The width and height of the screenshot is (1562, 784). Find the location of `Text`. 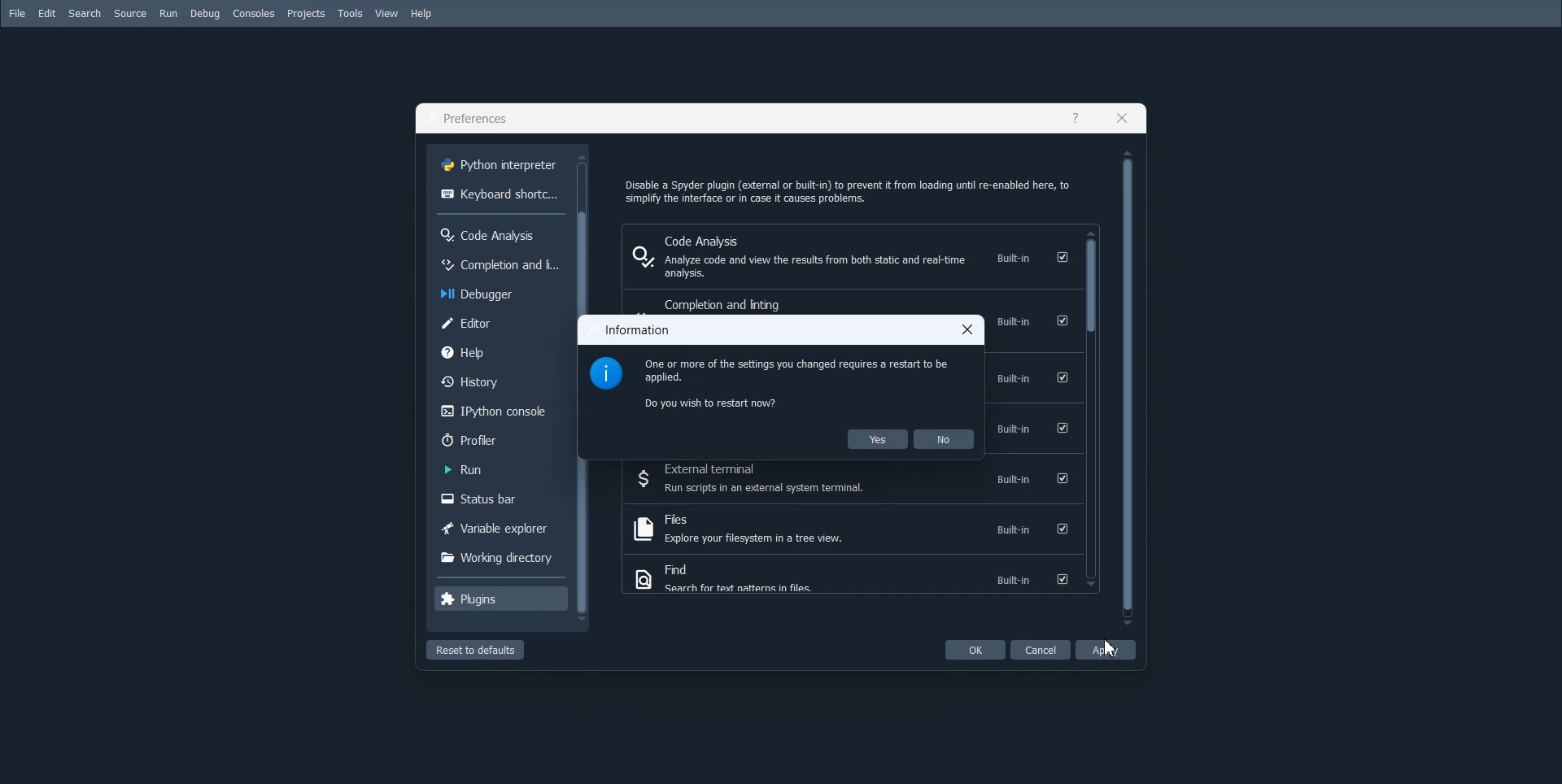

Text is located at coordinates (804, 379).